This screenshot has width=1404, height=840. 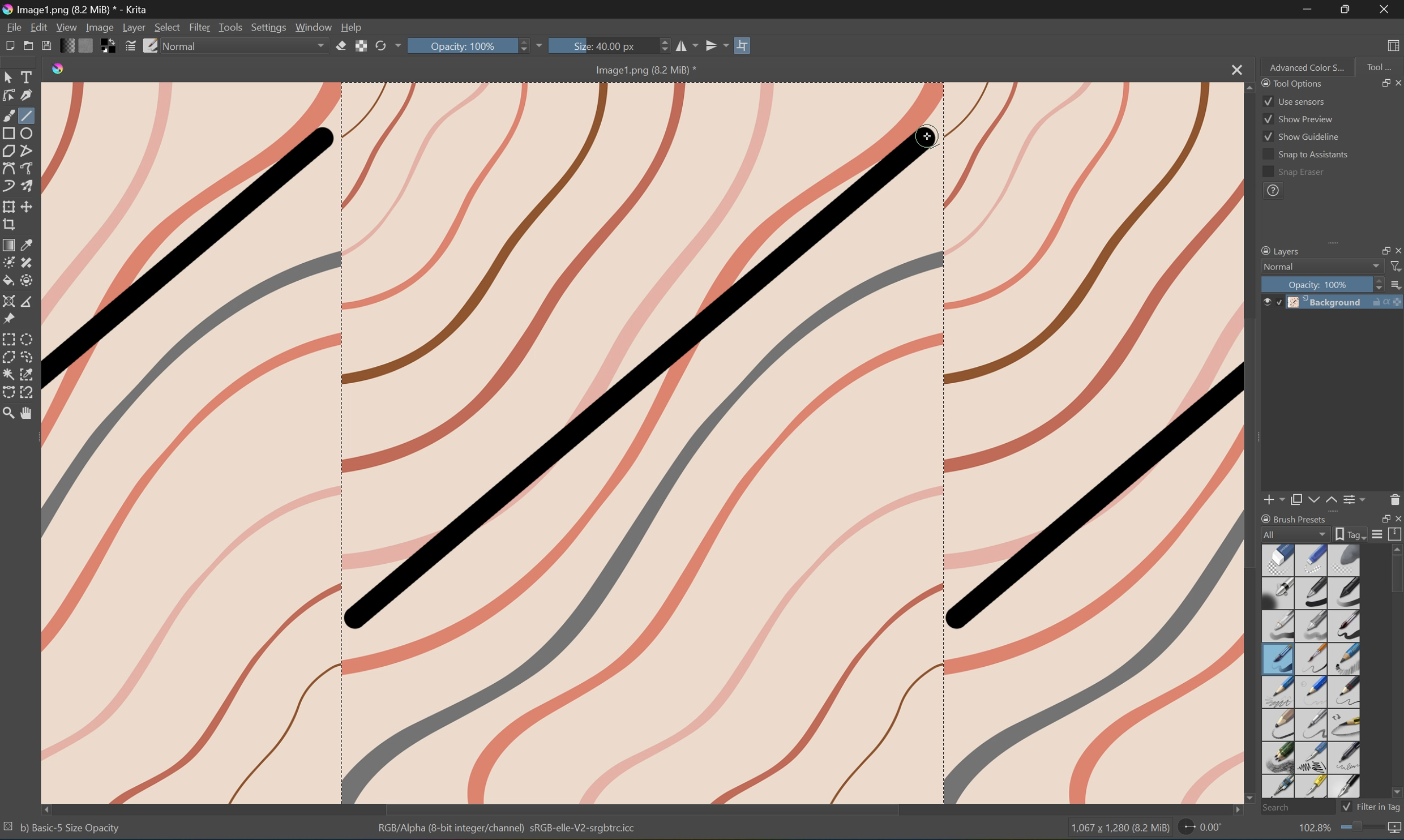 What do you see at coordinates (29, 207) in the screenshot?
I see `Move the layer` at bounding box center [29, 207].